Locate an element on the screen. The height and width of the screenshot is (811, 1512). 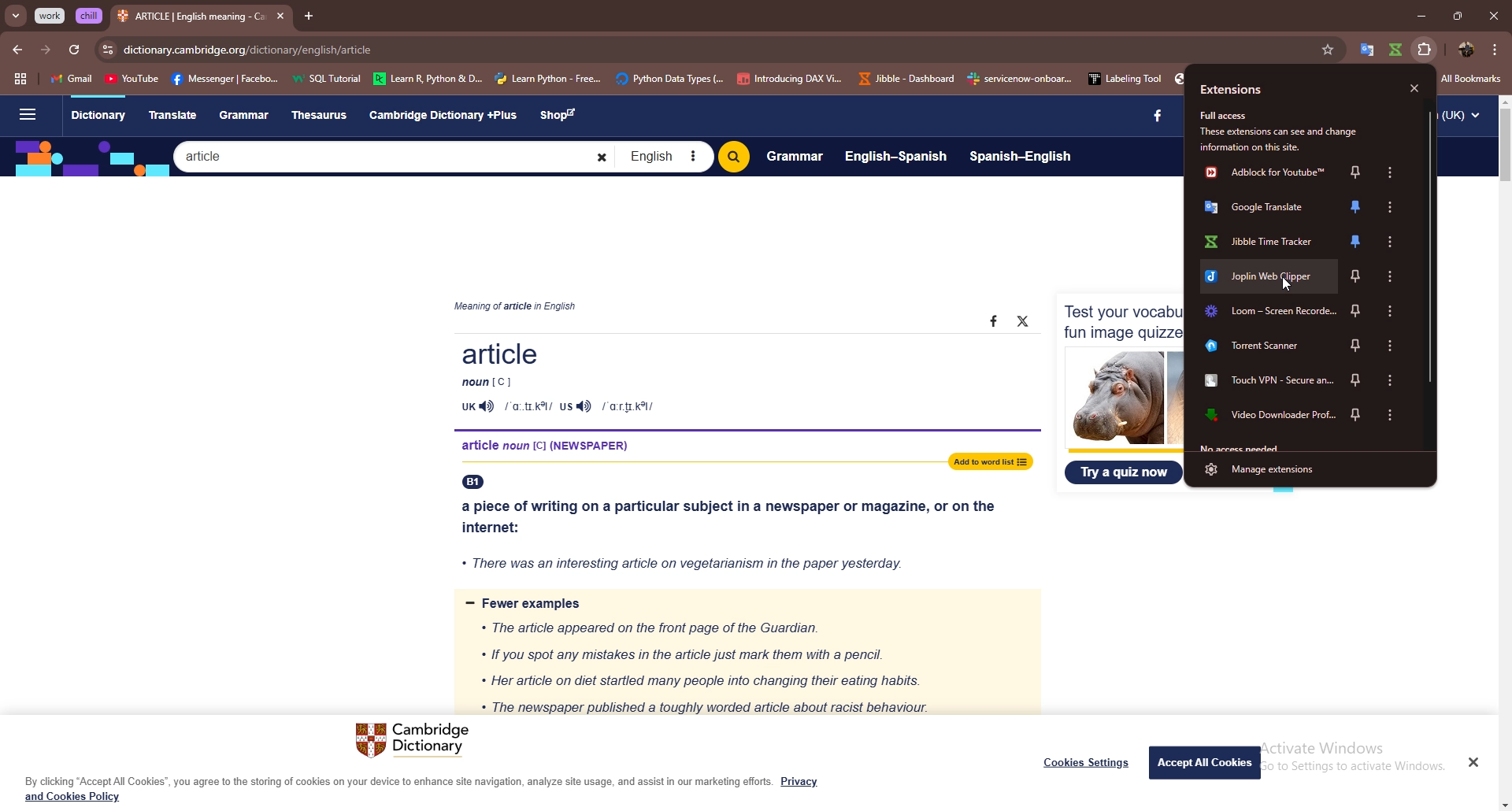
Thesaurus. is located at coordinates (324, 116).